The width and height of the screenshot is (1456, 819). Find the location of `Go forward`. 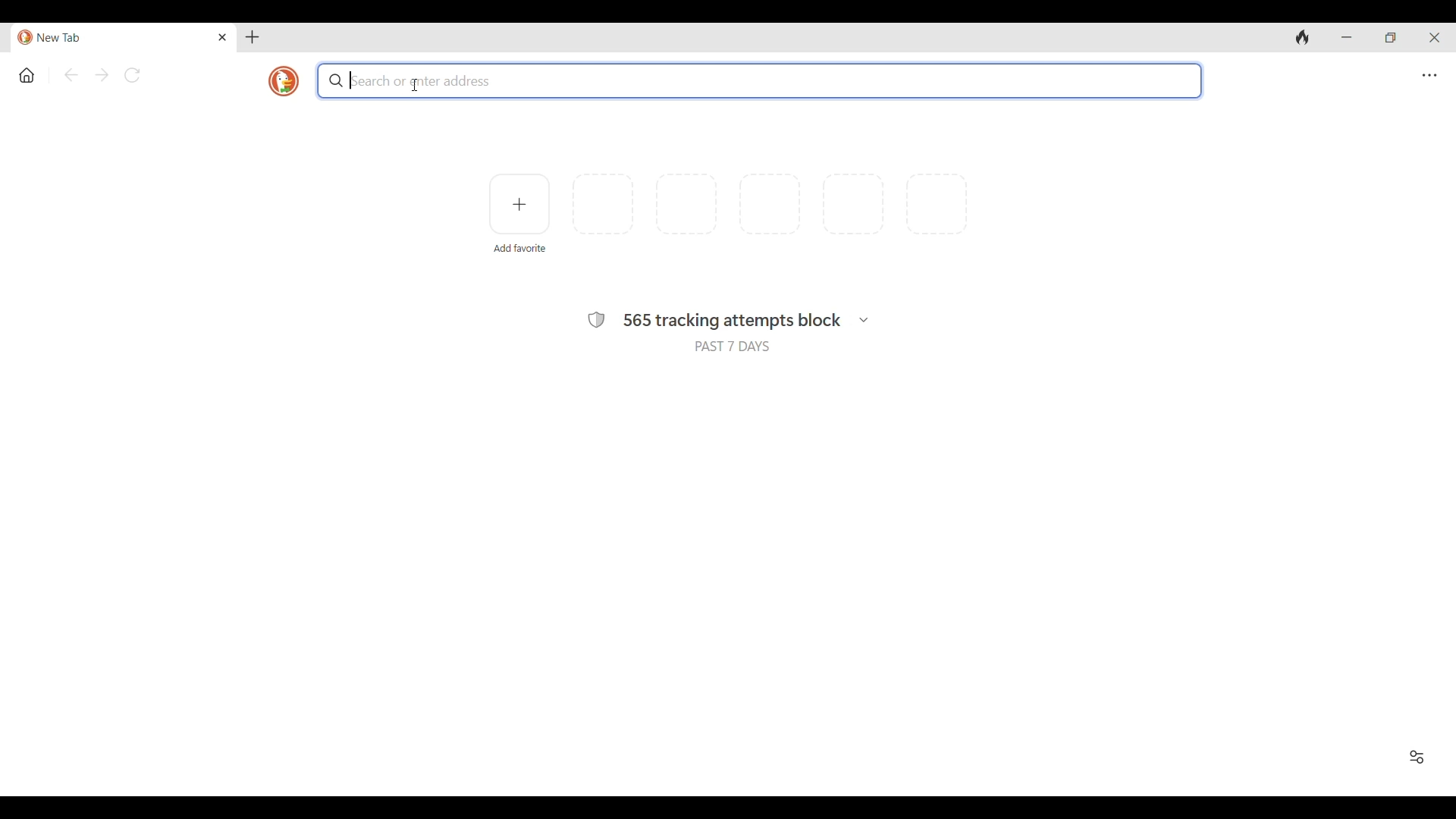

Go forward is located at coordinates (102, 75).